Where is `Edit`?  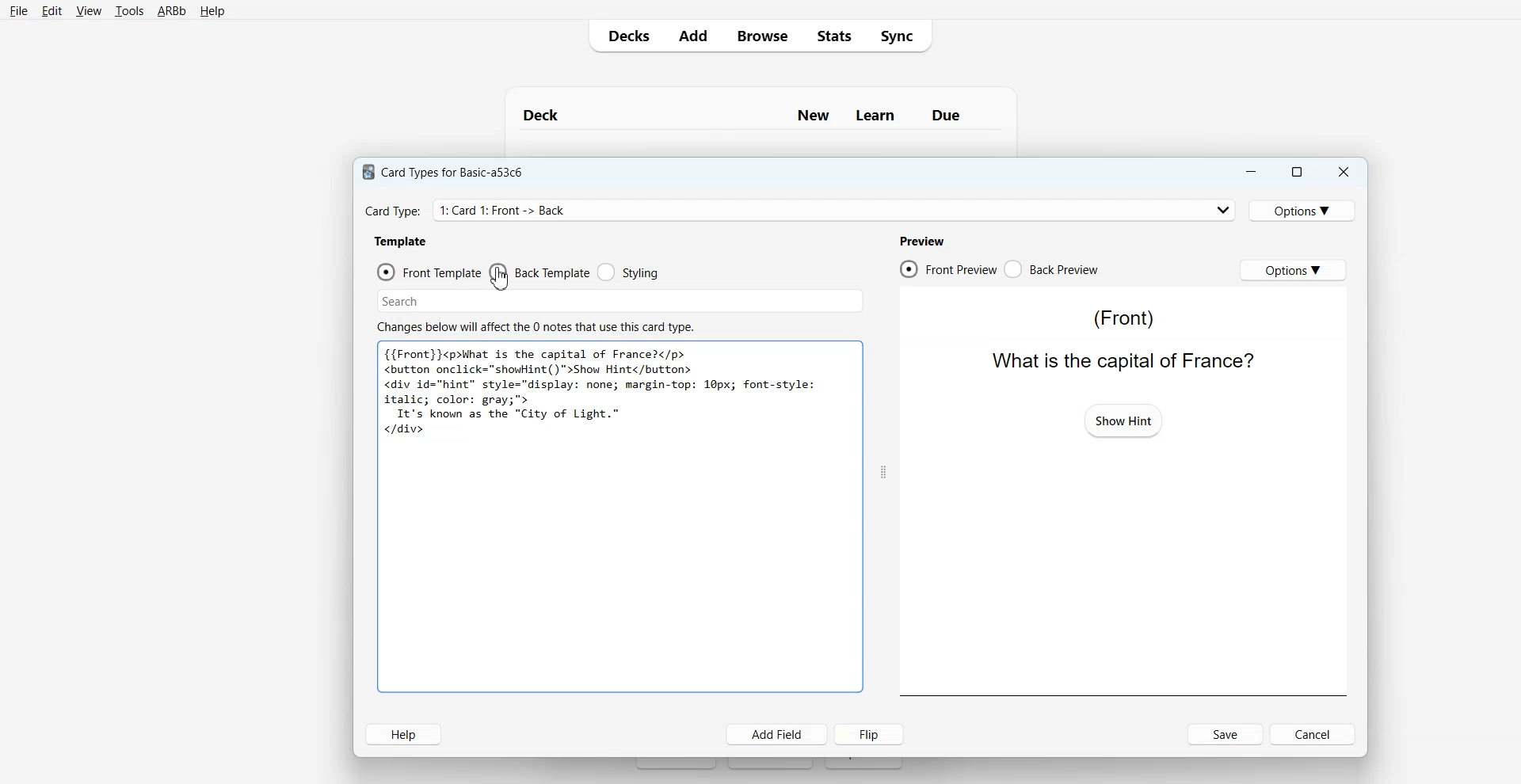
Edit is located at coordinates (52, 11).